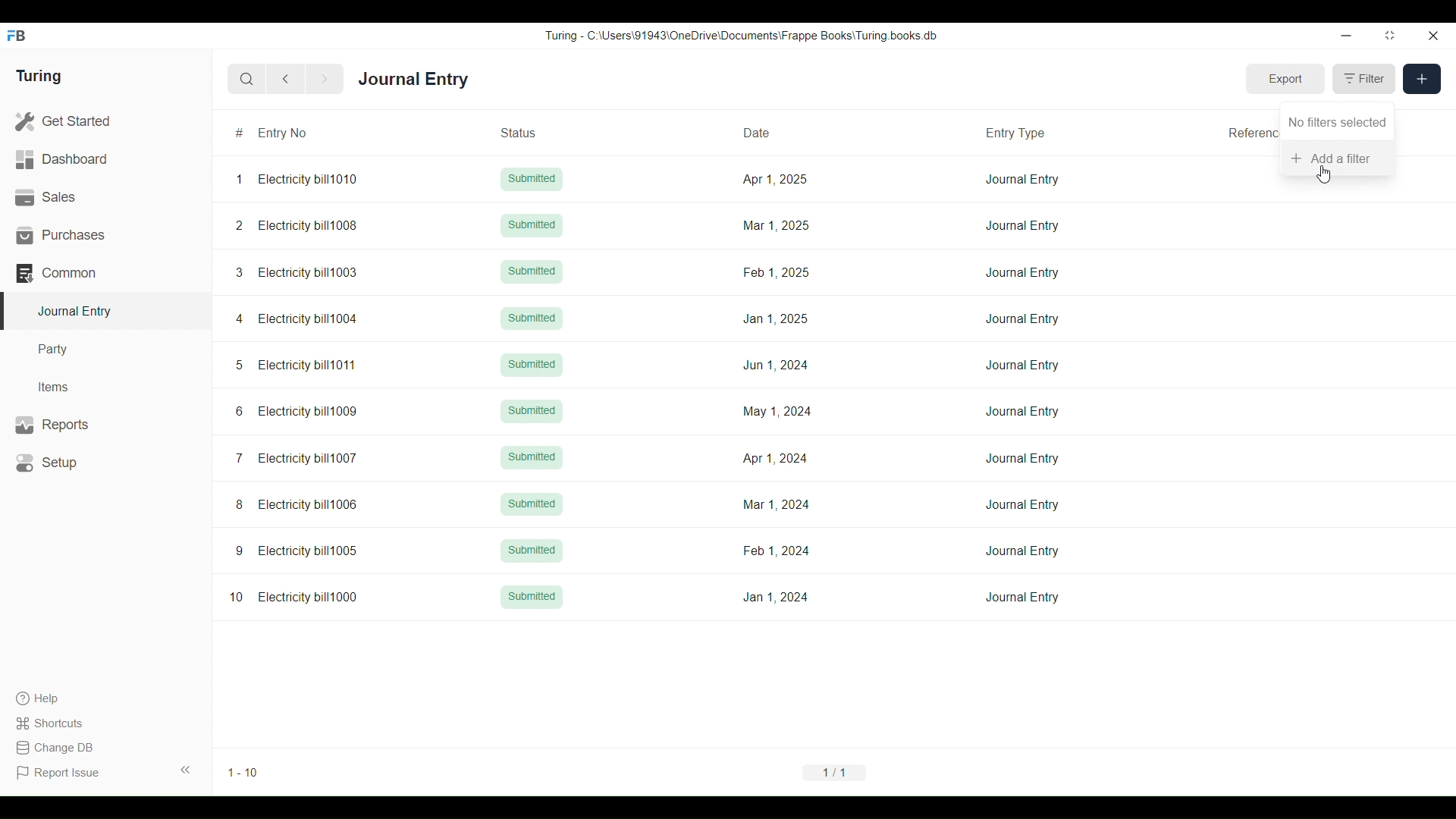  I want to click on Change dimension, so click(1390, 35).